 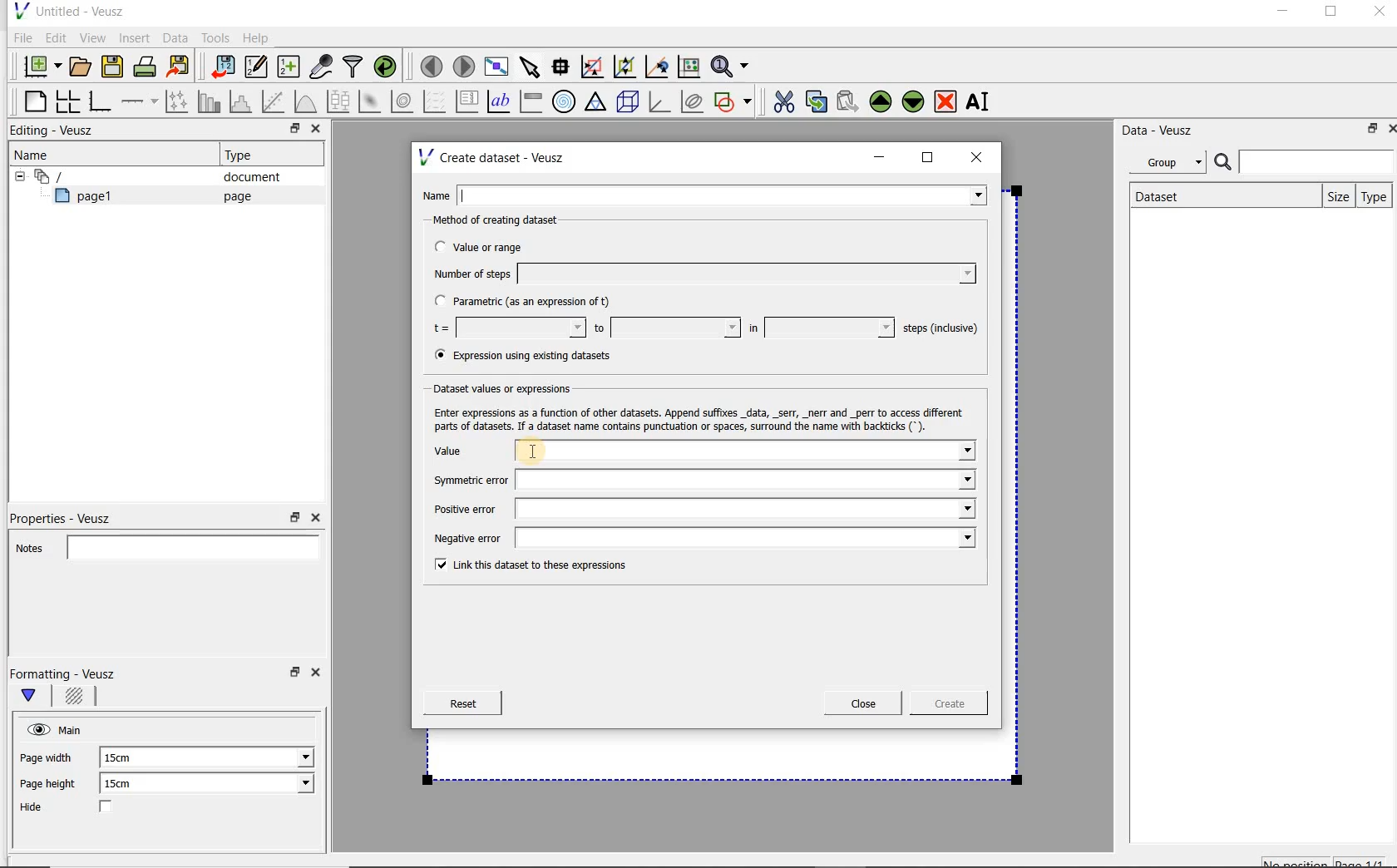 I want to click on steps (inclusive), so click(x=941, y=329).